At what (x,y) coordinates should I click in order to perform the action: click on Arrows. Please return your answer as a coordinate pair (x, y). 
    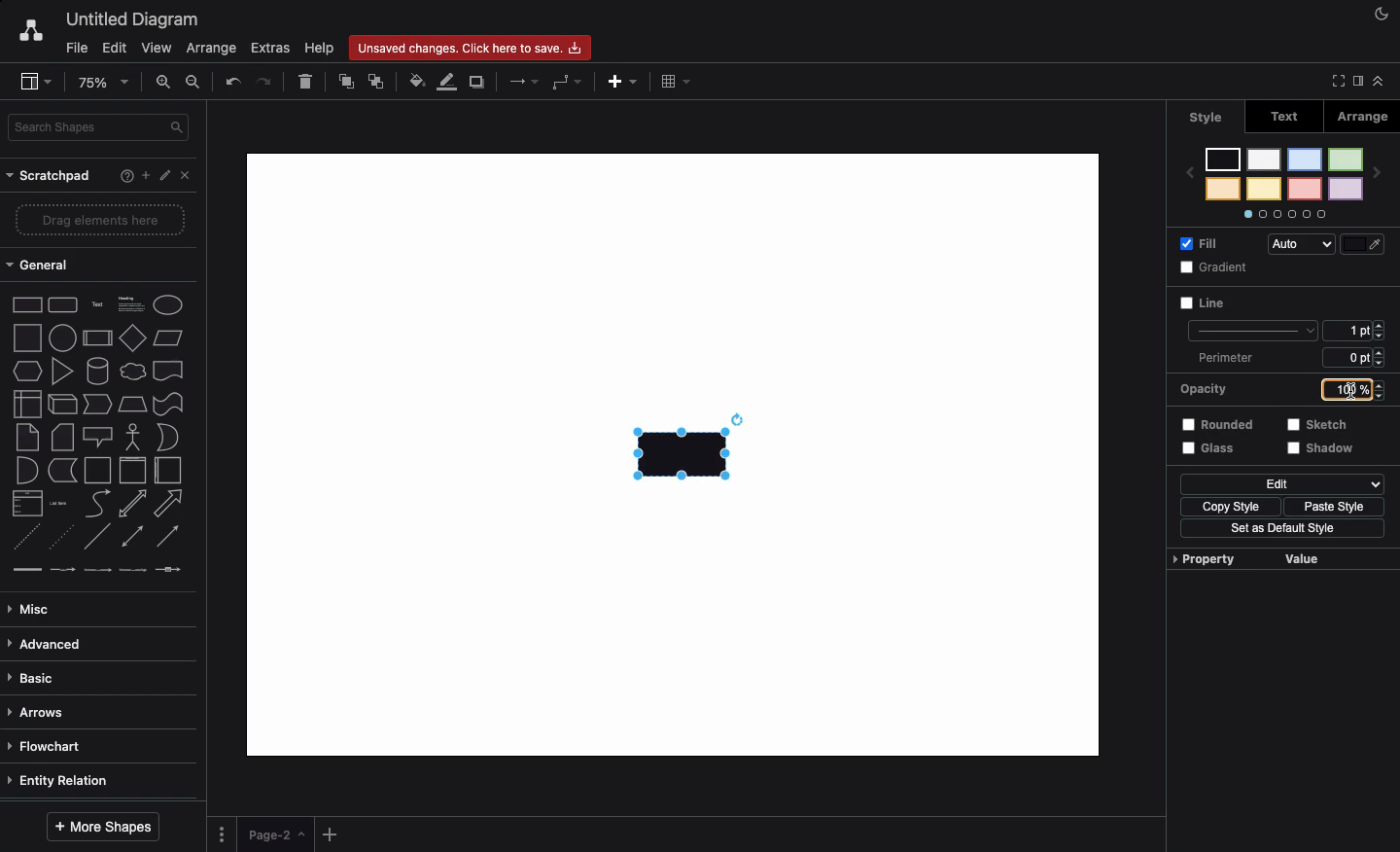
    Looking at the image, I should click on (519, 81).